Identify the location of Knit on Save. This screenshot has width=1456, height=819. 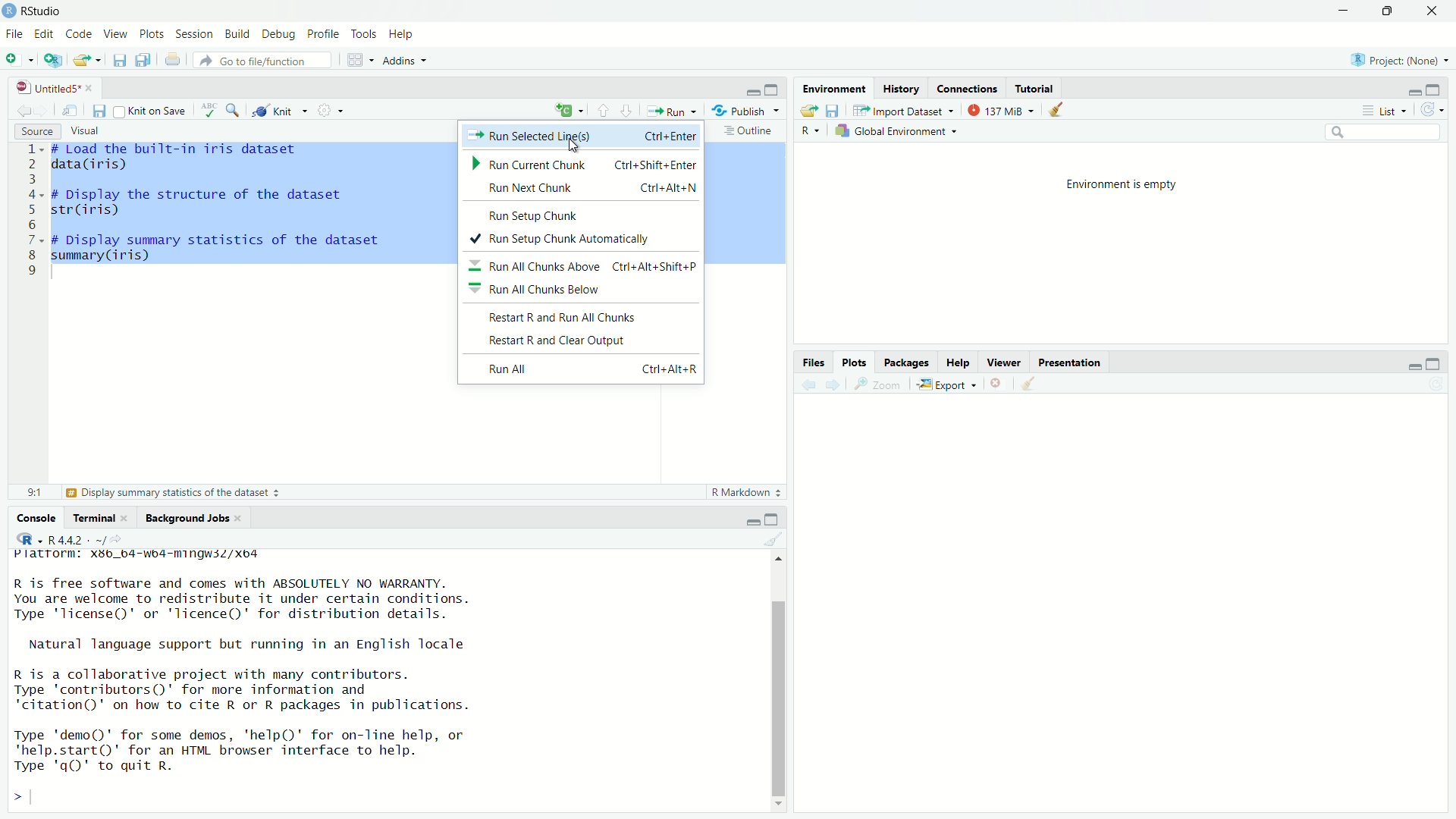
(150, 111).